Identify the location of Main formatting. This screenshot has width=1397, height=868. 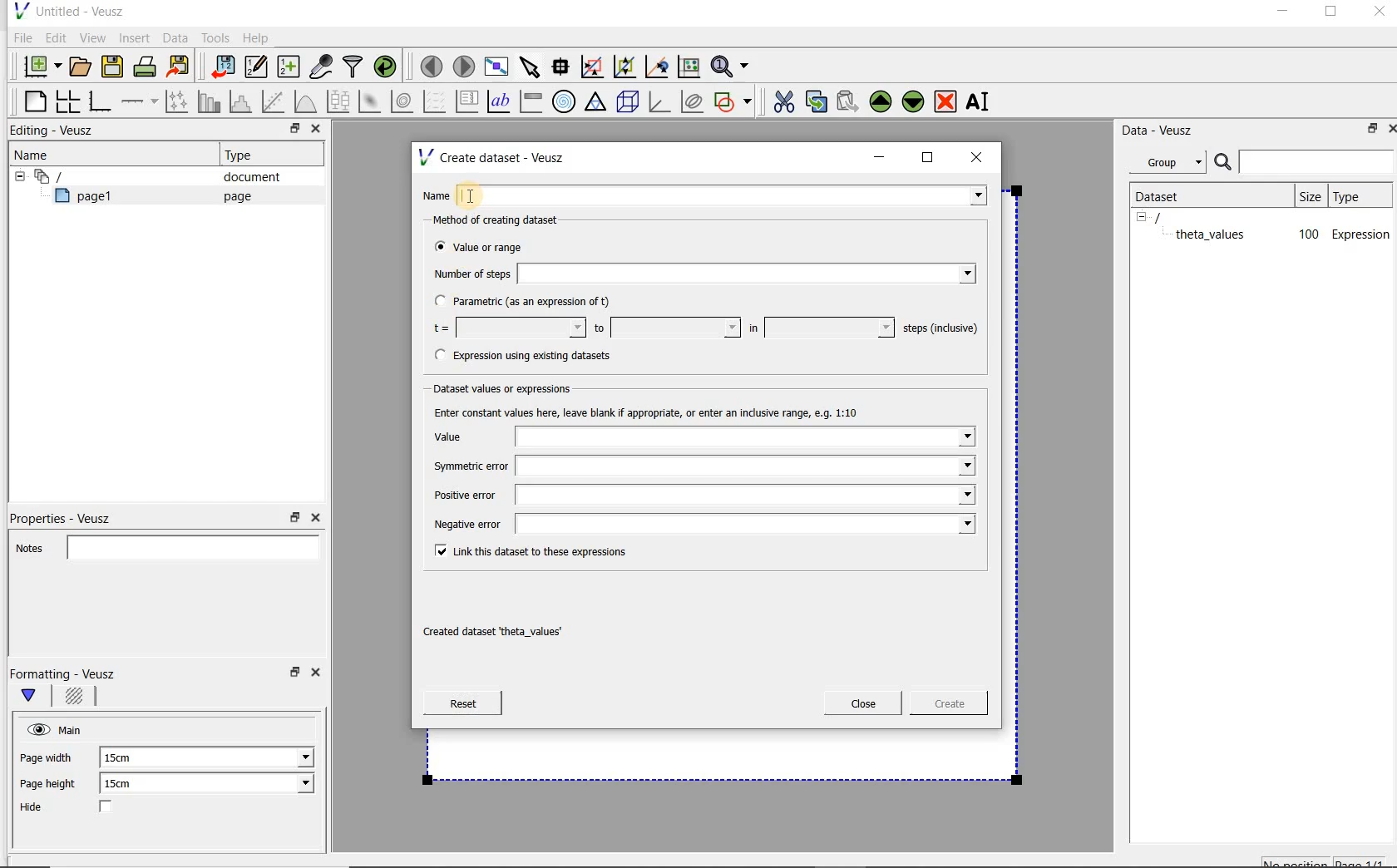
(36, 697).